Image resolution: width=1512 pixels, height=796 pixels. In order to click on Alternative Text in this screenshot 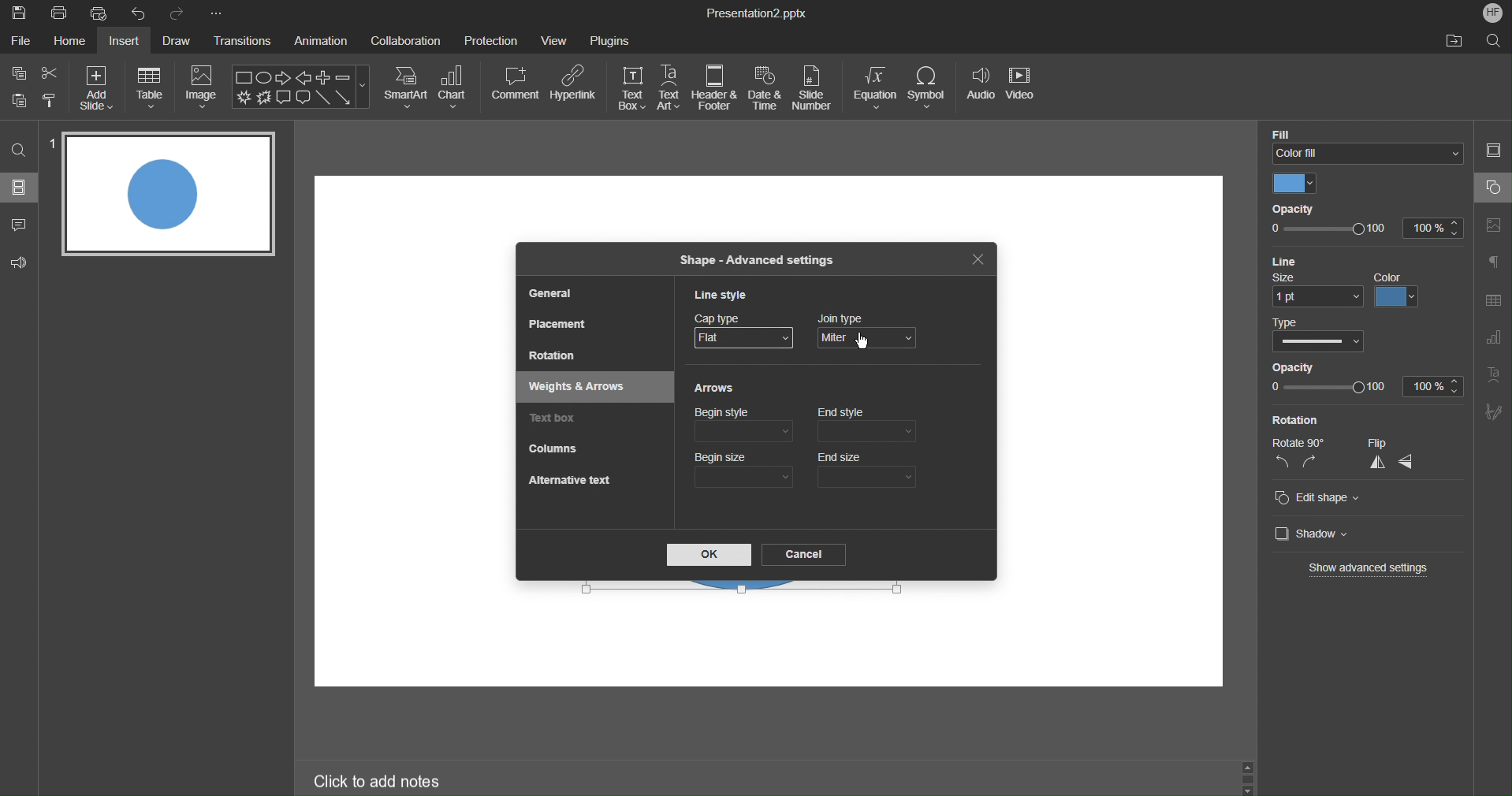, I will do `click(569, 482)`.